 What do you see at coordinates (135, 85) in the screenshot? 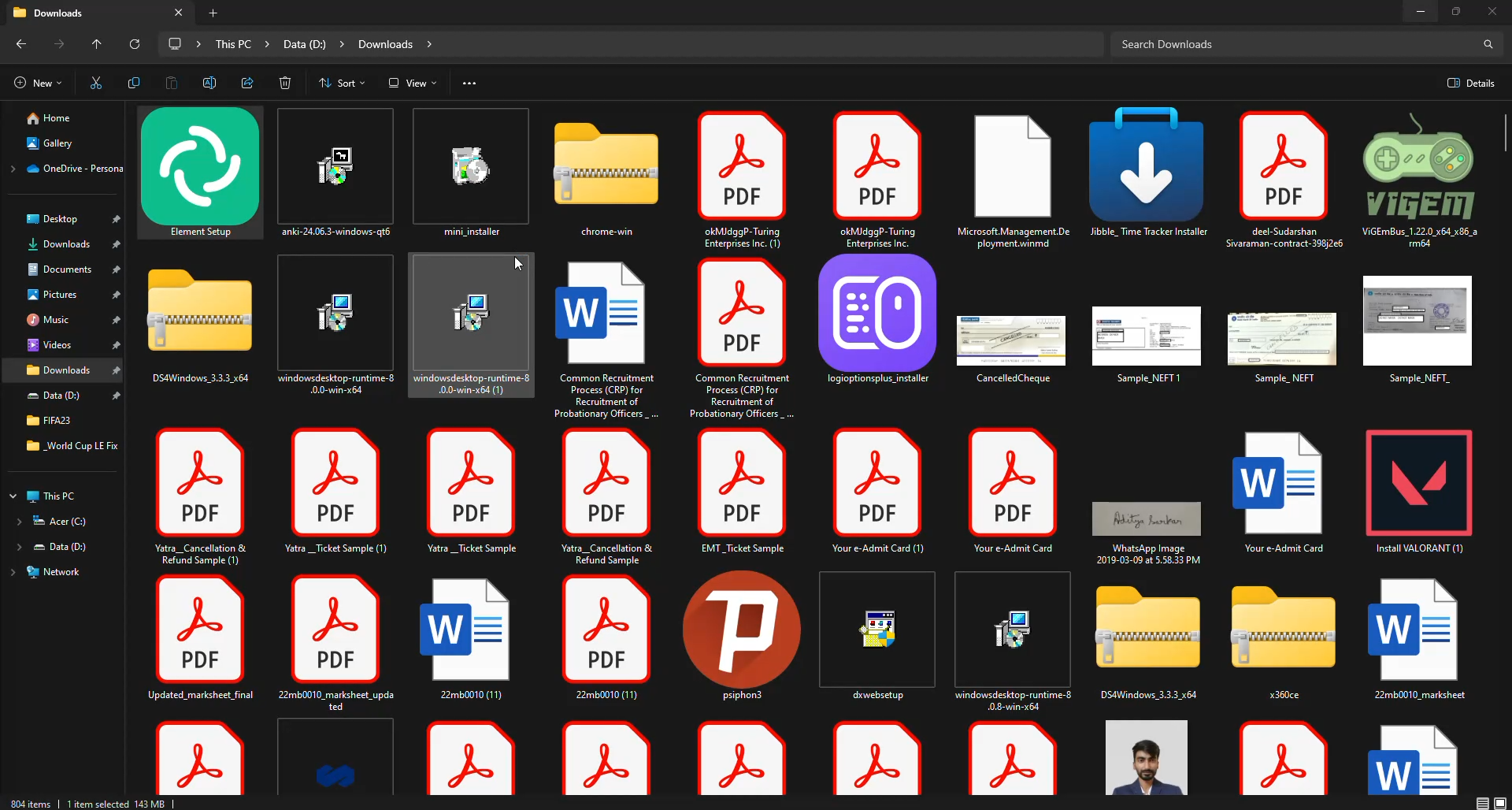
I see `copy` at bounding box center [135, 85].